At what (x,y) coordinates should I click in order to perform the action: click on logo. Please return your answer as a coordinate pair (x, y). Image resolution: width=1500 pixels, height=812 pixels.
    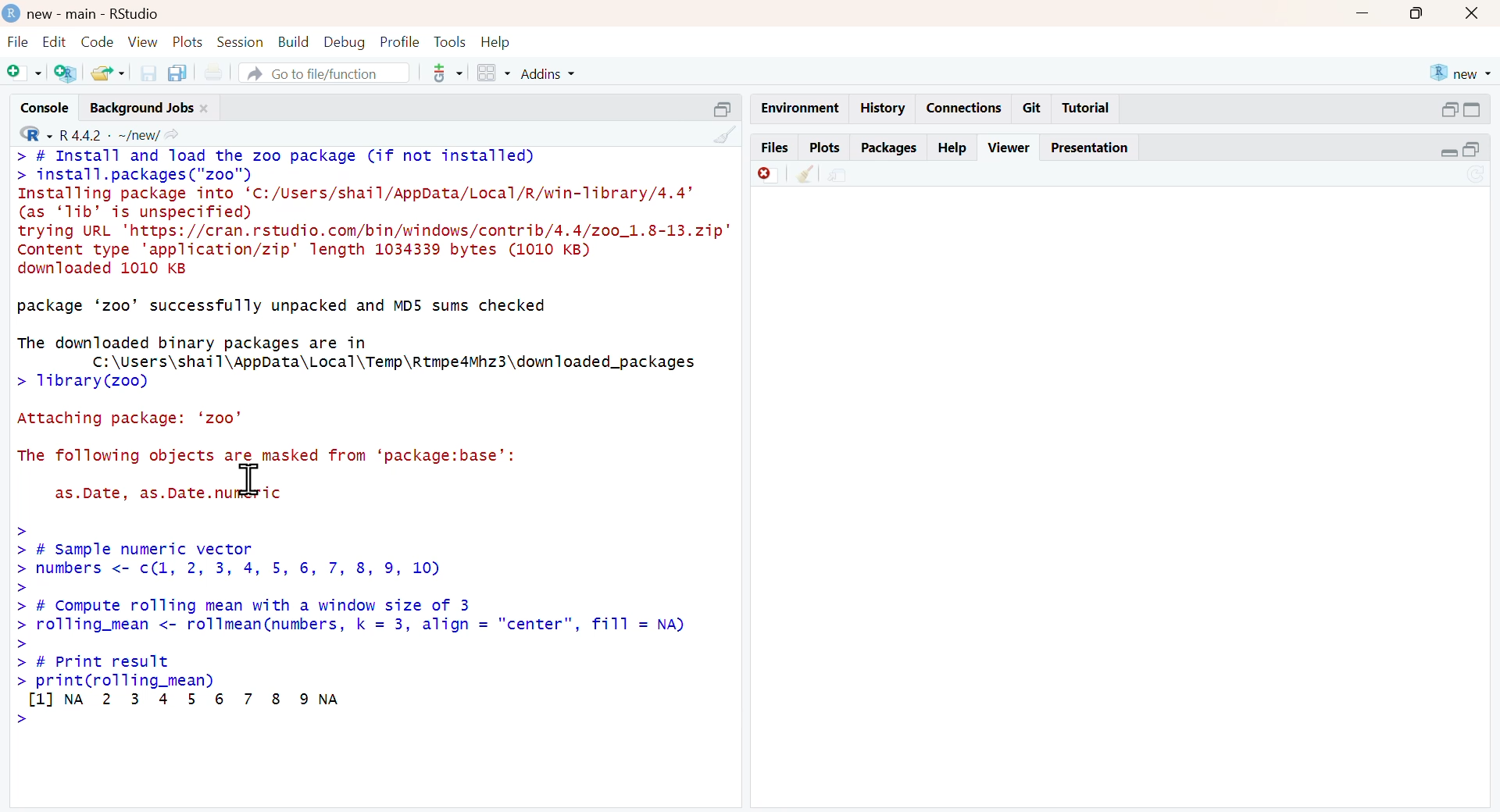
    Looking at the image, I should click on (11, 15).